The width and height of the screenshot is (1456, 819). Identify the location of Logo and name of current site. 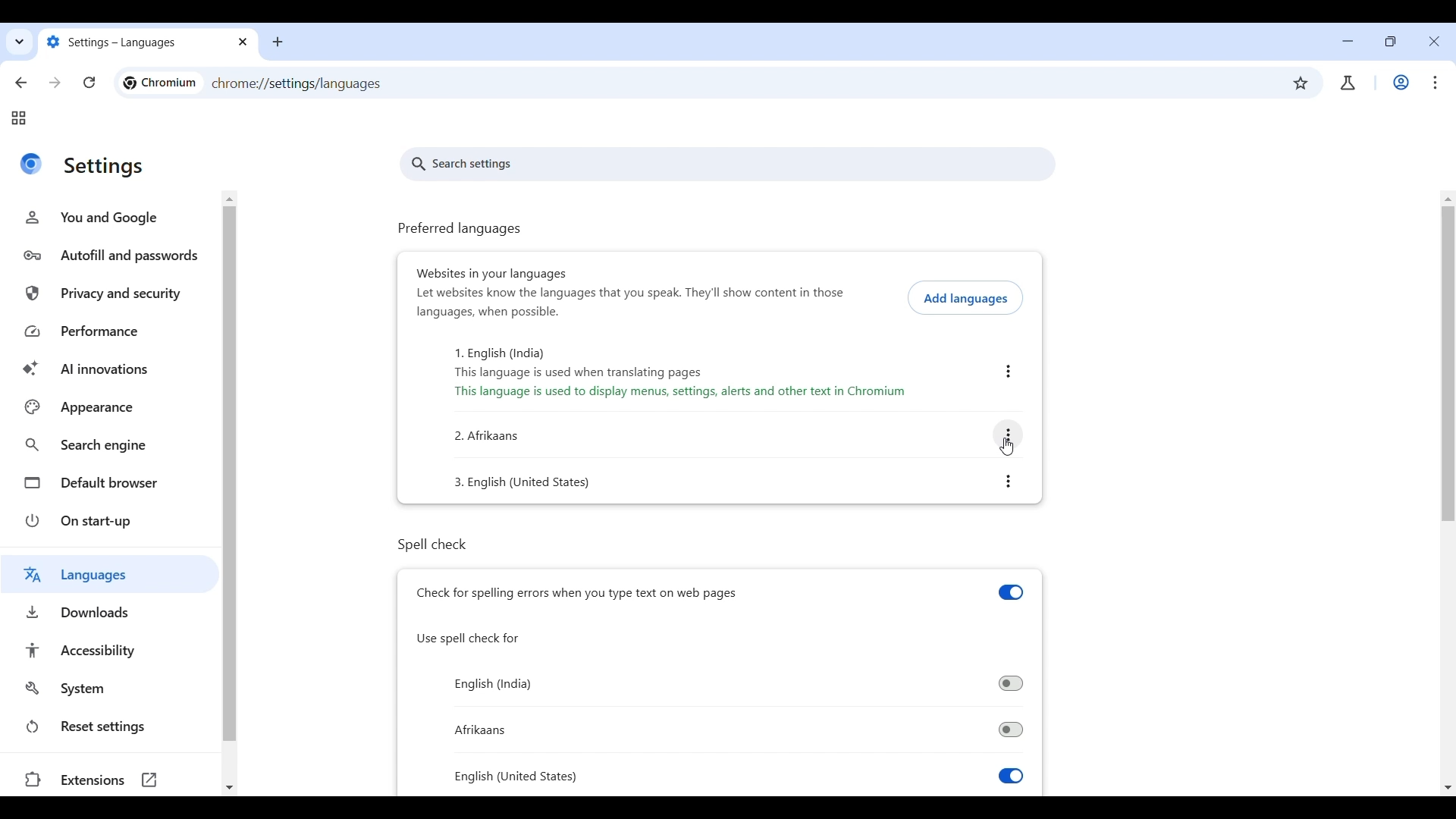
(160, 83).